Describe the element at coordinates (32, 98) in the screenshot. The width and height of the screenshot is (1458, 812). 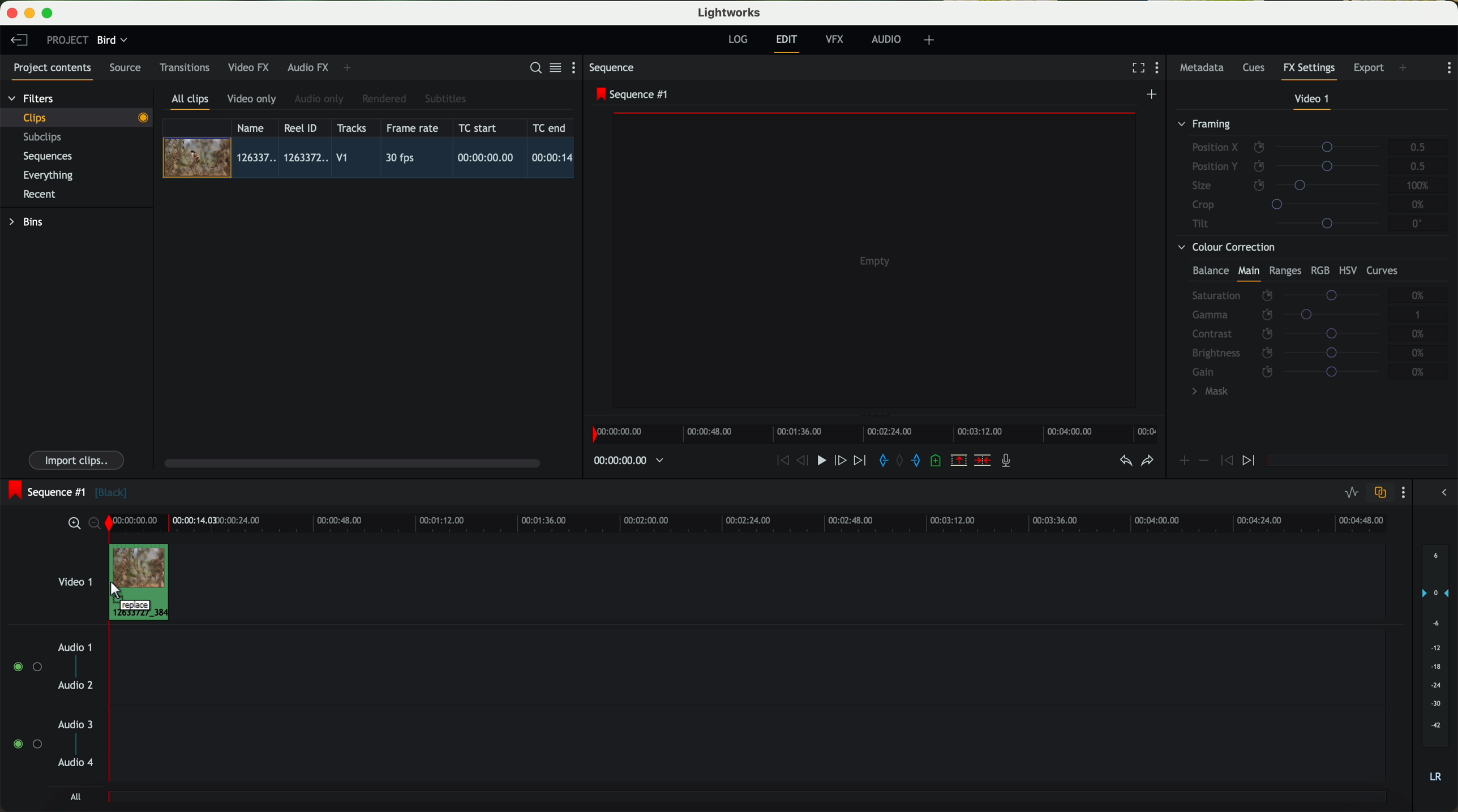
I see `filters` at that location.